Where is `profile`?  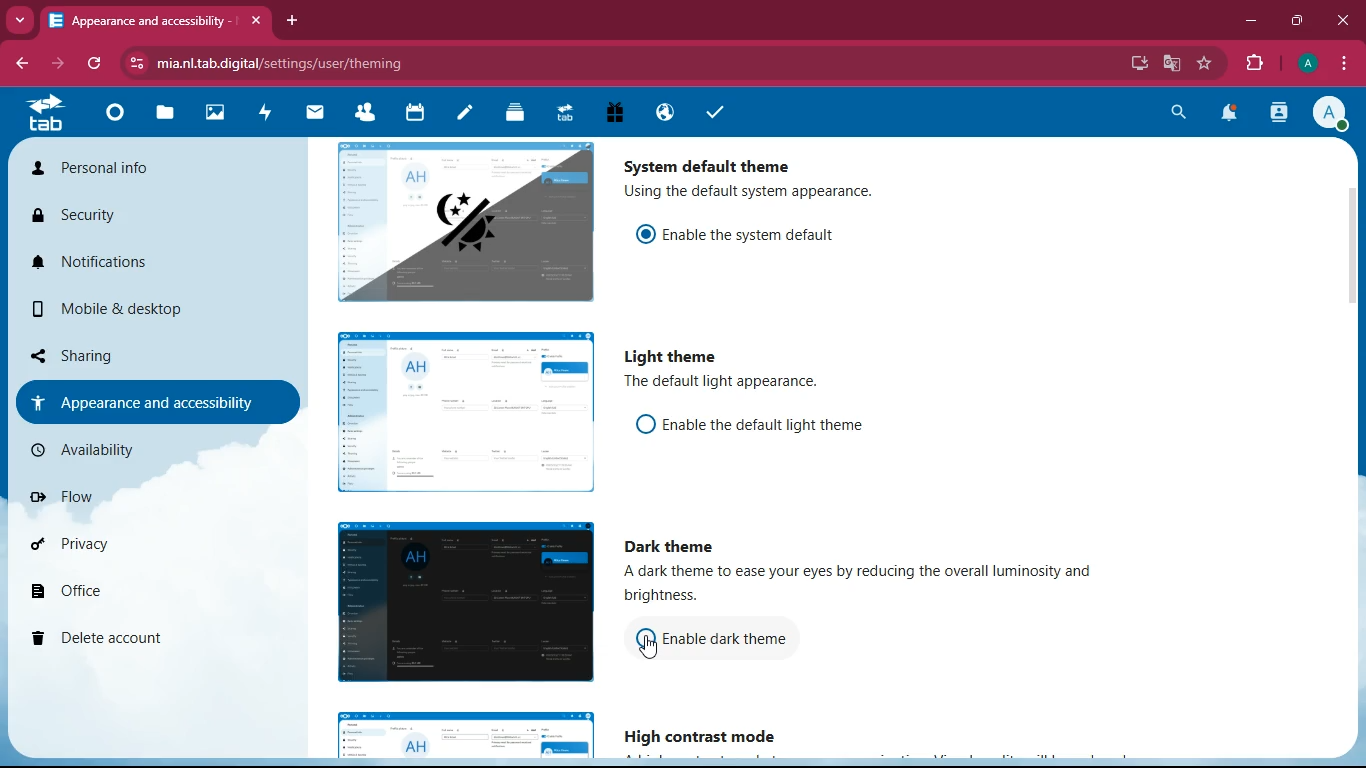 profile is located at coordinates (1309, 63).